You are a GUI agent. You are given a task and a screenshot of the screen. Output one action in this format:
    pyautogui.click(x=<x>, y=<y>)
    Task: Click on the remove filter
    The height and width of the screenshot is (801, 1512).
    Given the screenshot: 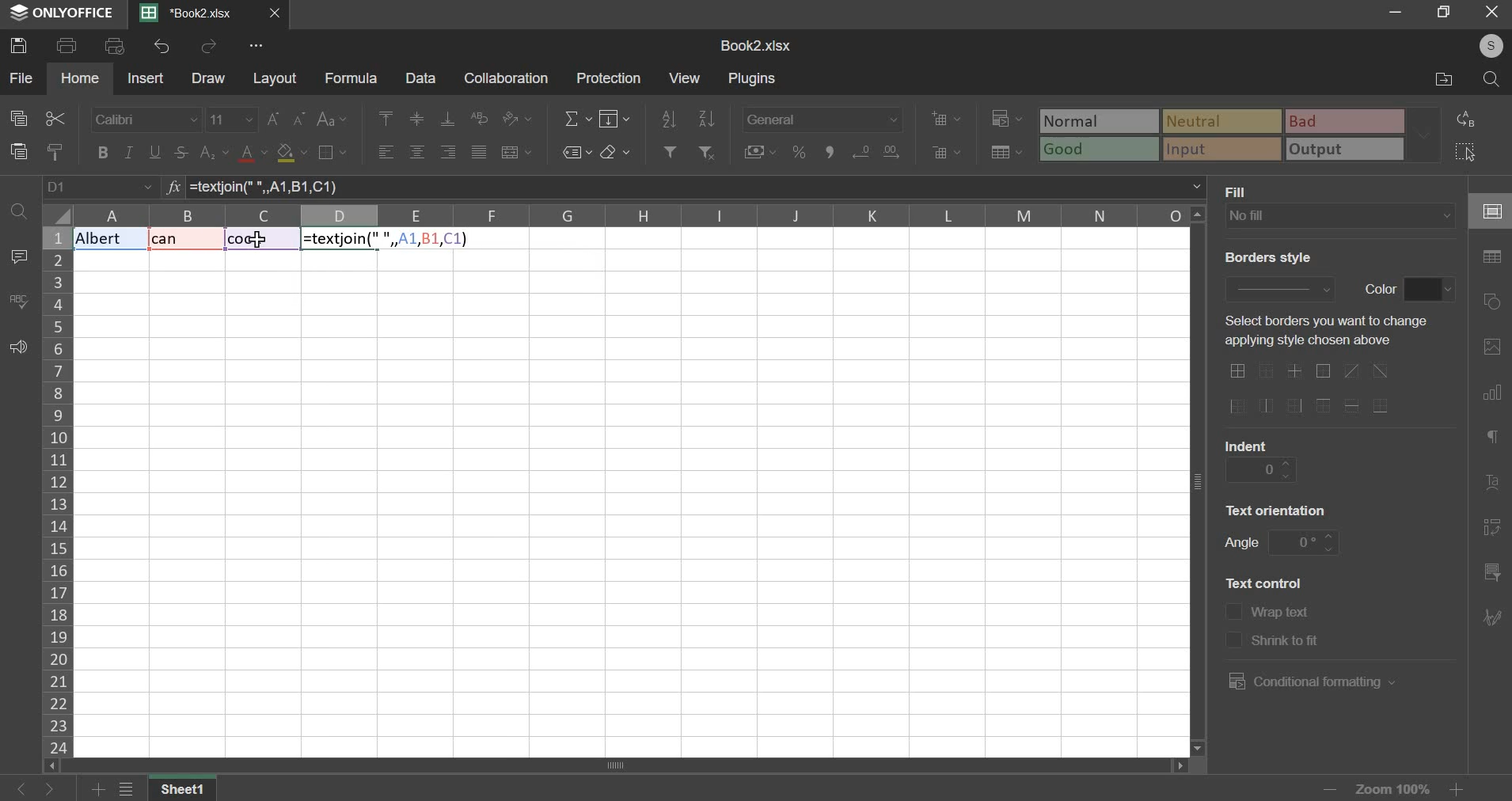 What is the action you would take?
    pyautogui.click(x=709, y=151)
    